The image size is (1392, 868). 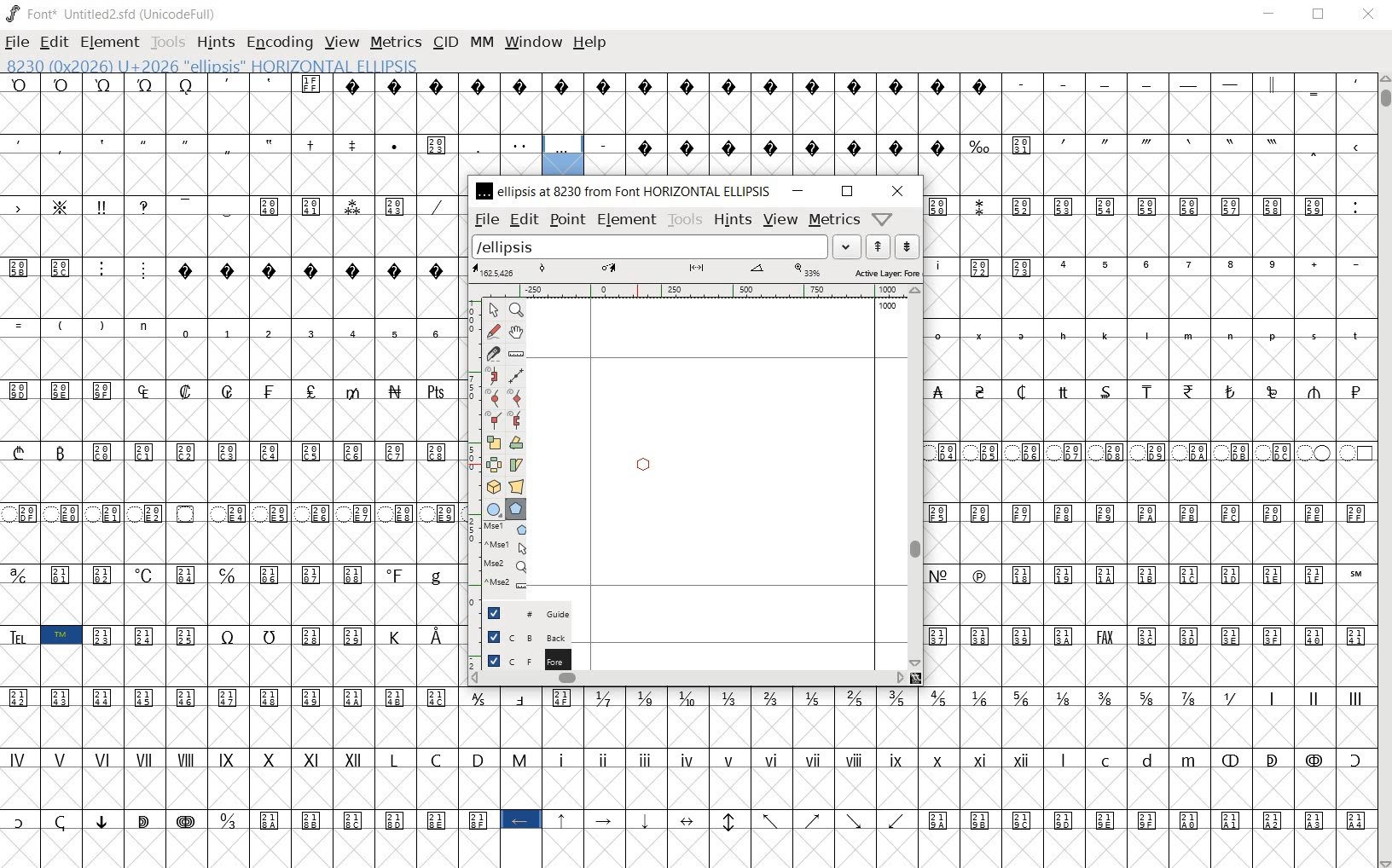 What do you see at coordinates (881, 219) in the screenshot?
I see `Help/Window` at bounding box center [881, 219].